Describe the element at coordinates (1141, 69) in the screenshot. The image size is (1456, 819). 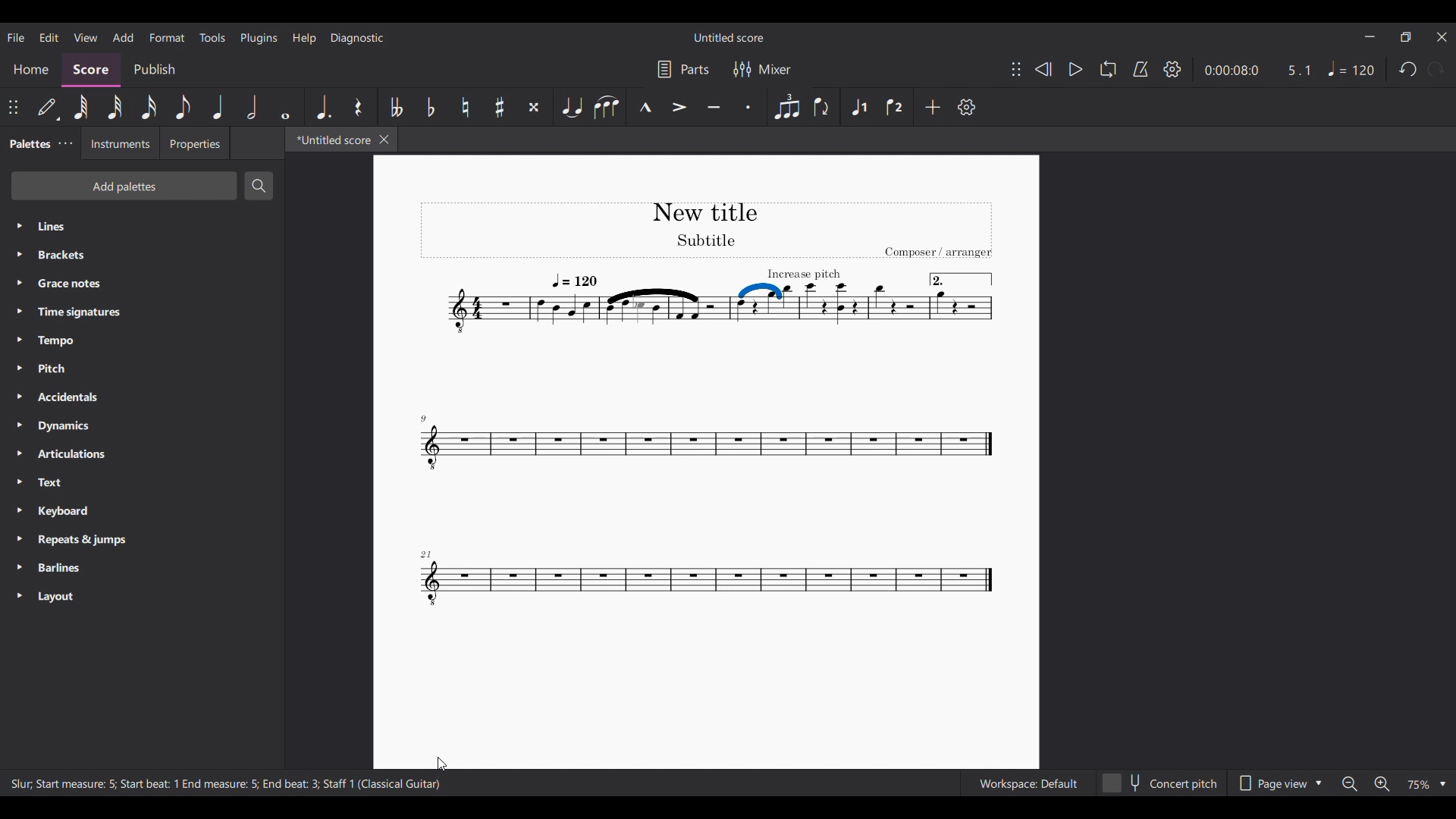
I see `Metronome` at that location.